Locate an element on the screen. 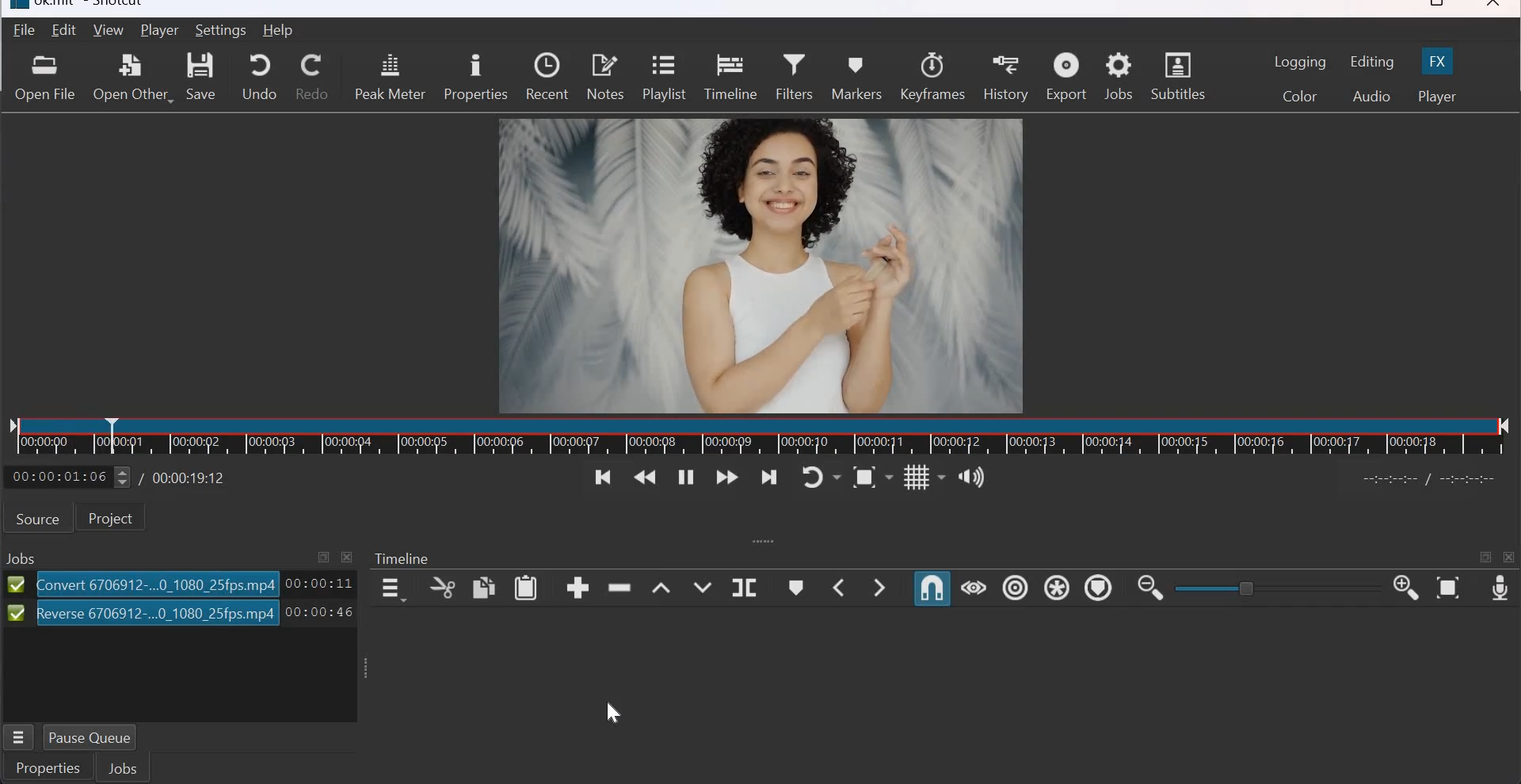 The height and width of the screenshot is (784, 1521). Markers is located at coordinates (859, 77).